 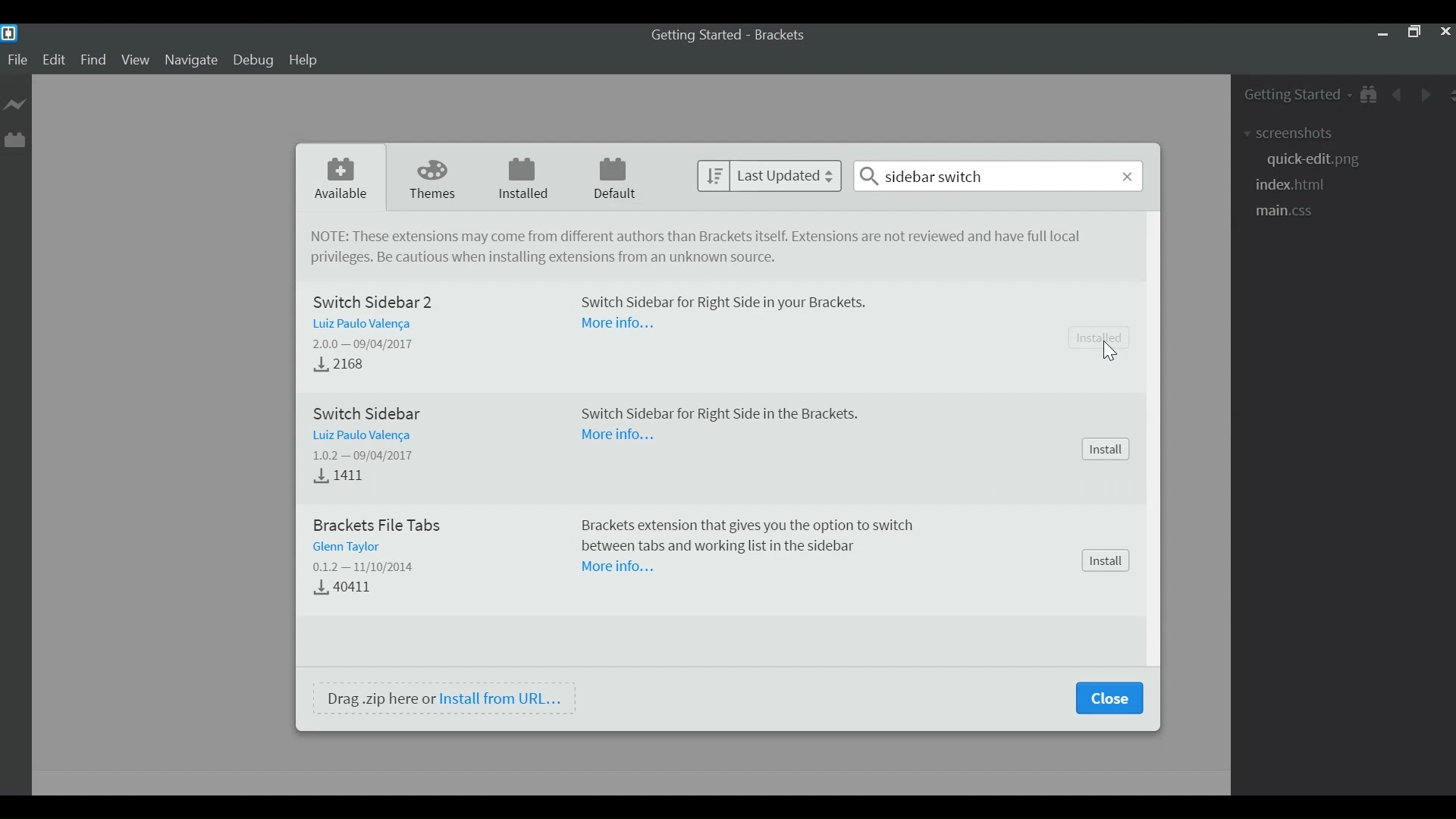 What do you see at coordinates (1382, 33) in the screenshot?
I see `minimize` at bounding box center [1382, 33].